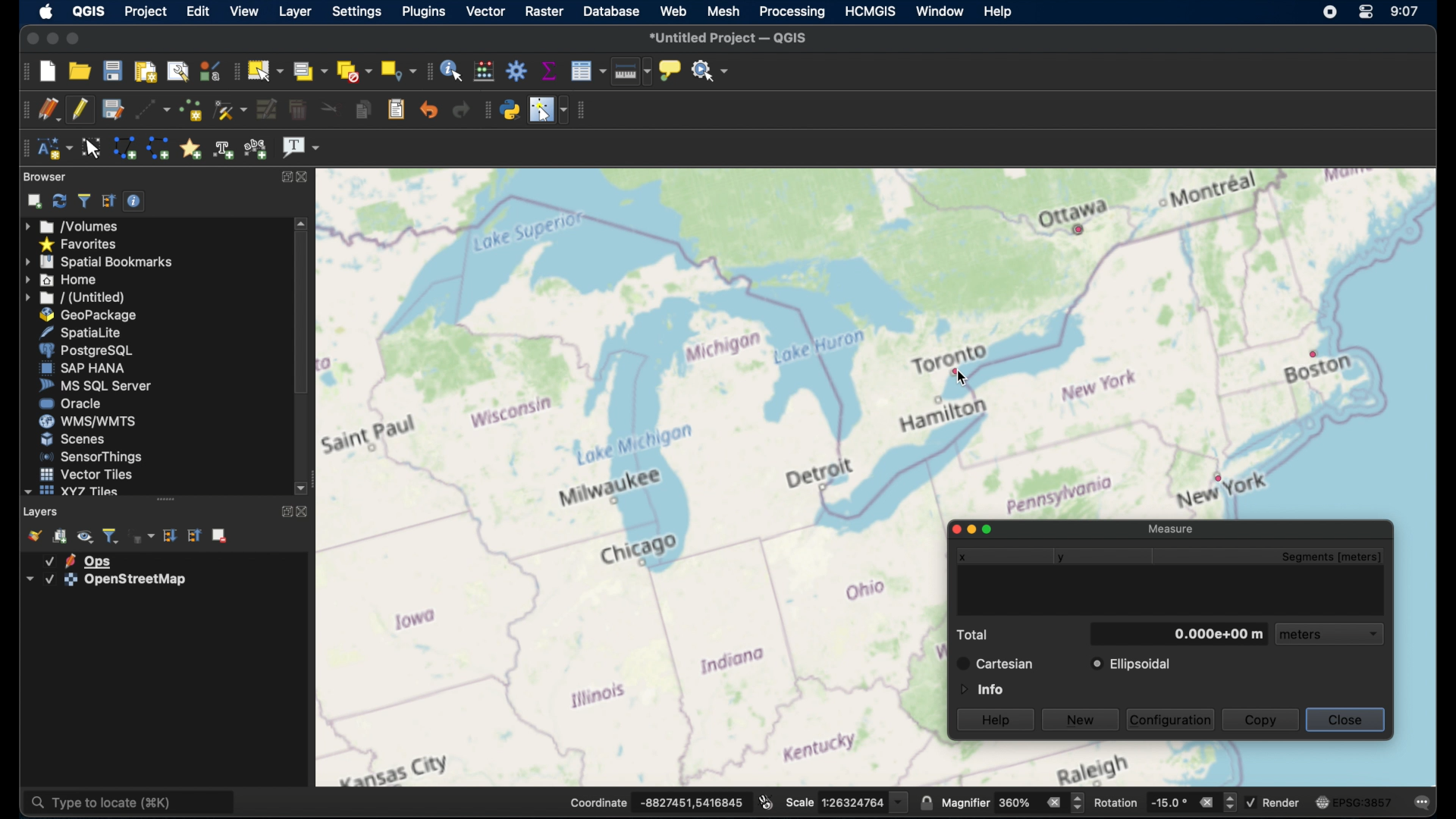 This screenshot has height=819, width=1456. What do you see at coordinates (584, 111) in the screenshot?
I see `vector toolbar` at bounding box center [584, 111].